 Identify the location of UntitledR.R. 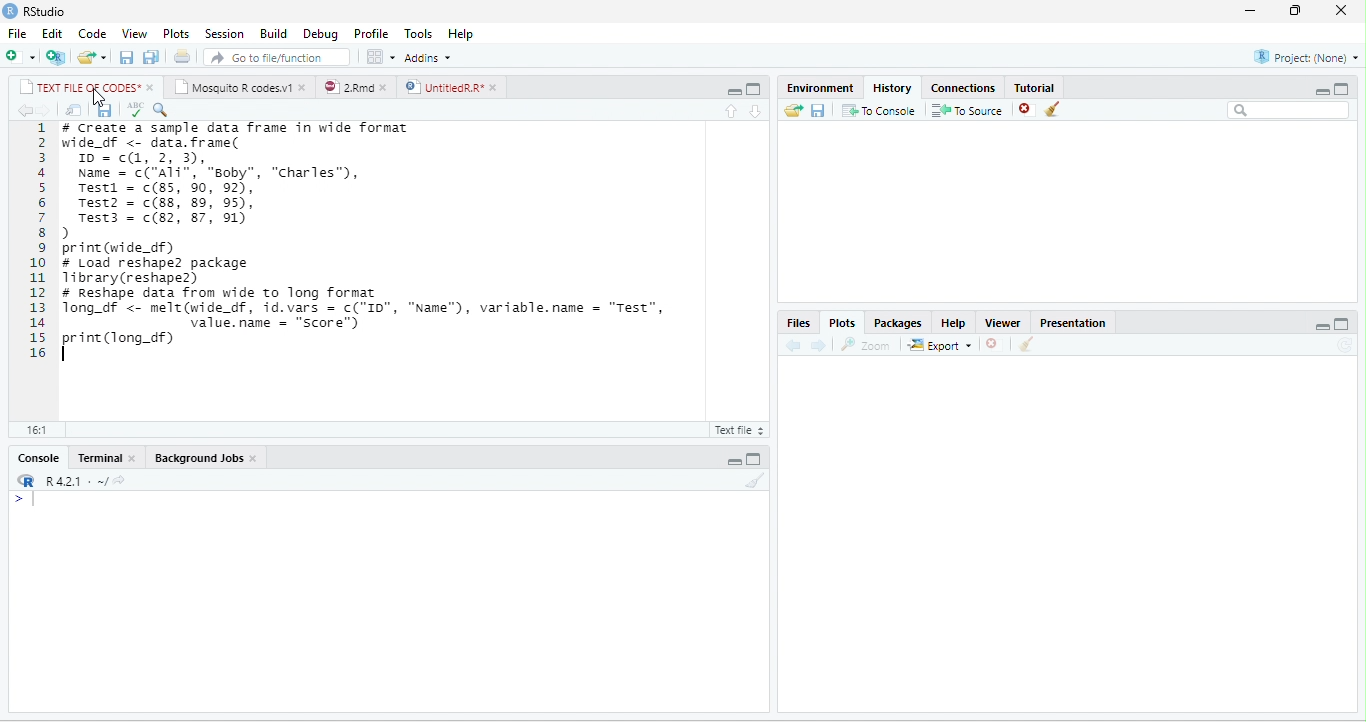
(443, 87).